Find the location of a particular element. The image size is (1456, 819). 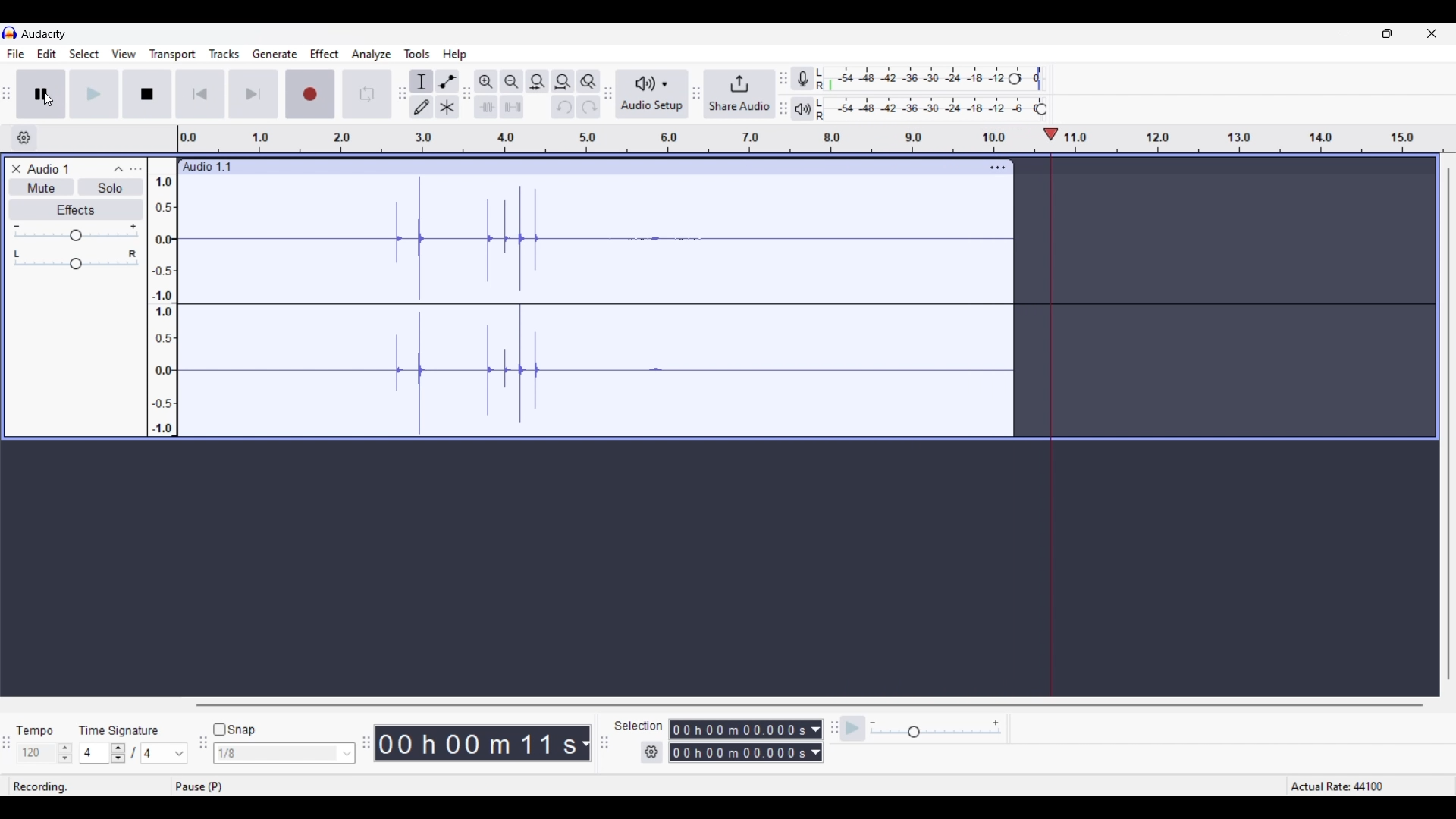

toolbar is located at coordinates (399, 95).